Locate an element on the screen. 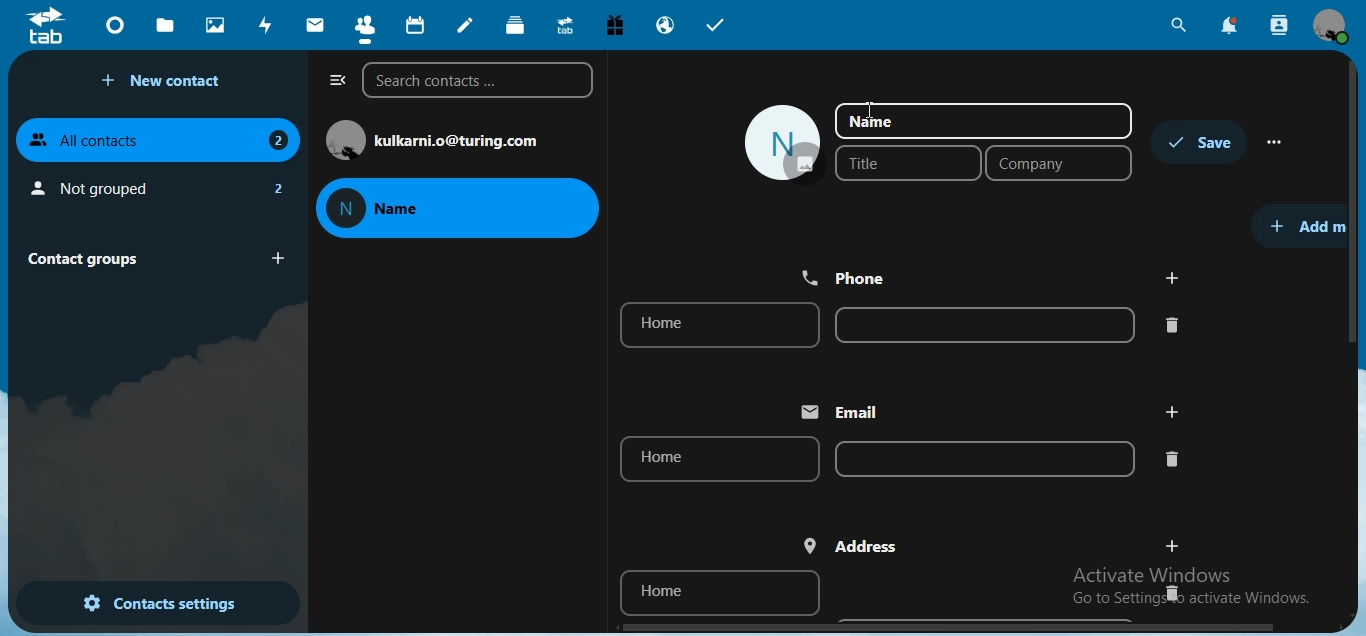  activity is located at coordinates (265, 25).